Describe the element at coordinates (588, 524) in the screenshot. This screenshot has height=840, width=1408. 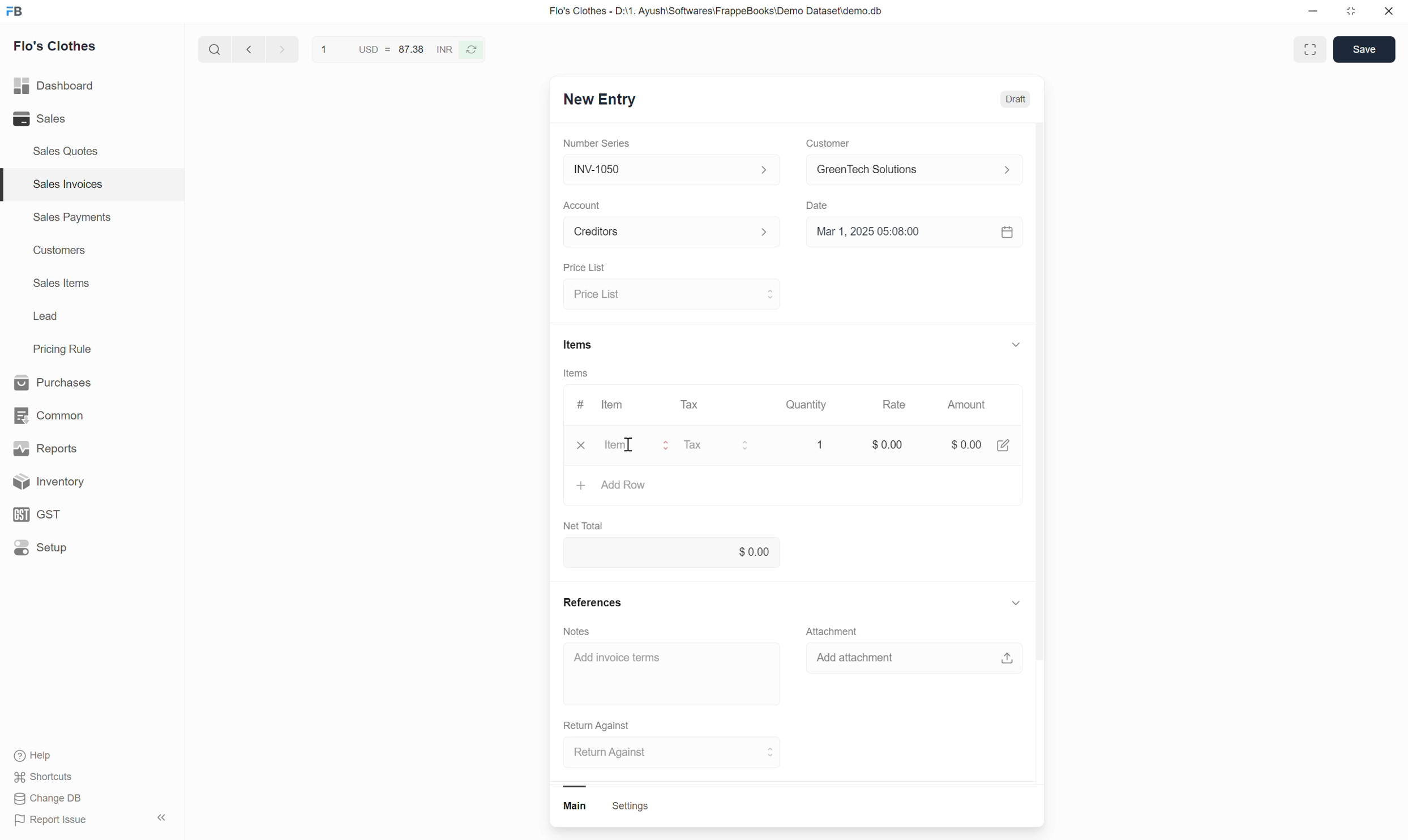
I see `Net Total` at that location.